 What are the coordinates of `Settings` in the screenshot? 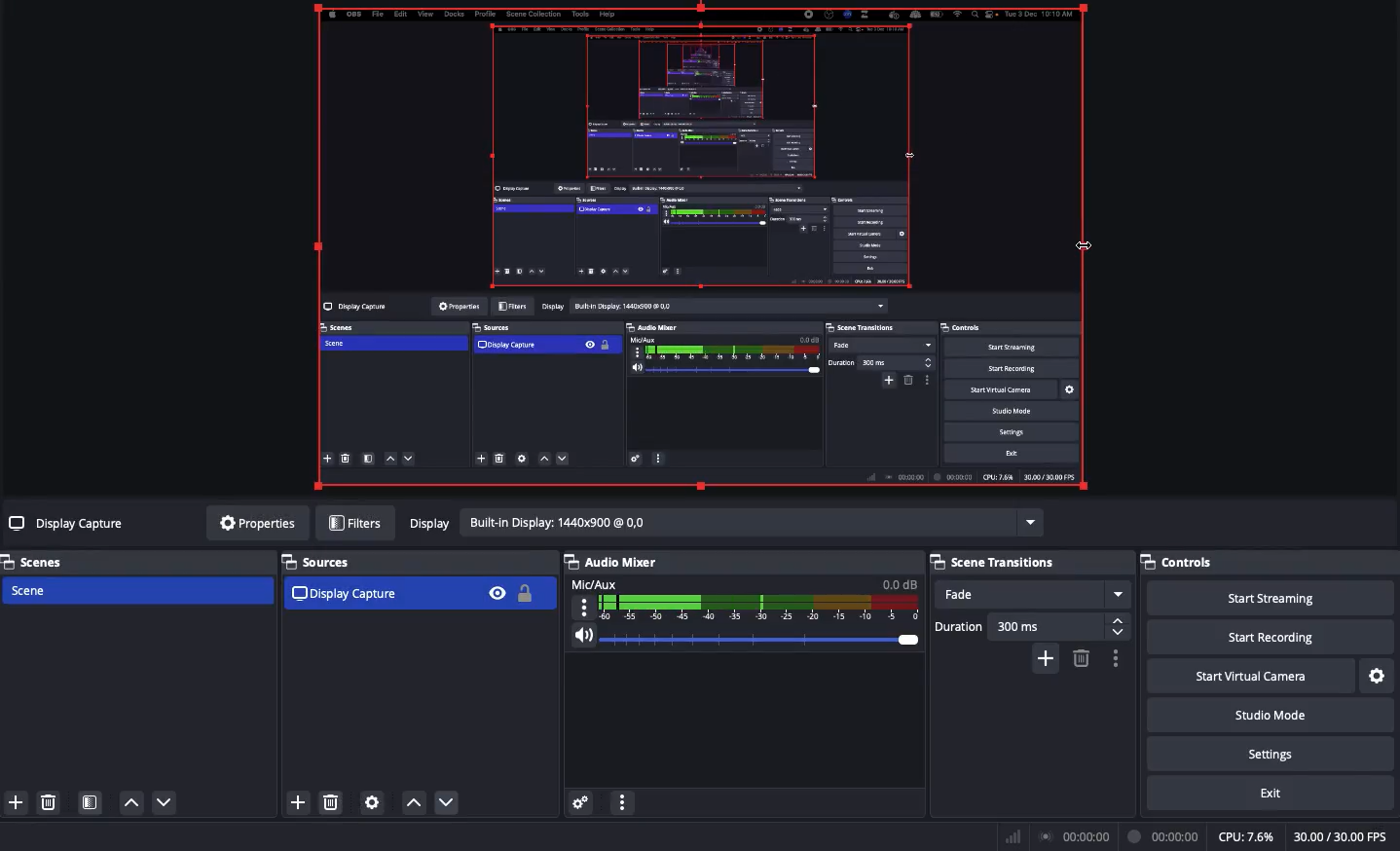 It's located at (1379, 677).